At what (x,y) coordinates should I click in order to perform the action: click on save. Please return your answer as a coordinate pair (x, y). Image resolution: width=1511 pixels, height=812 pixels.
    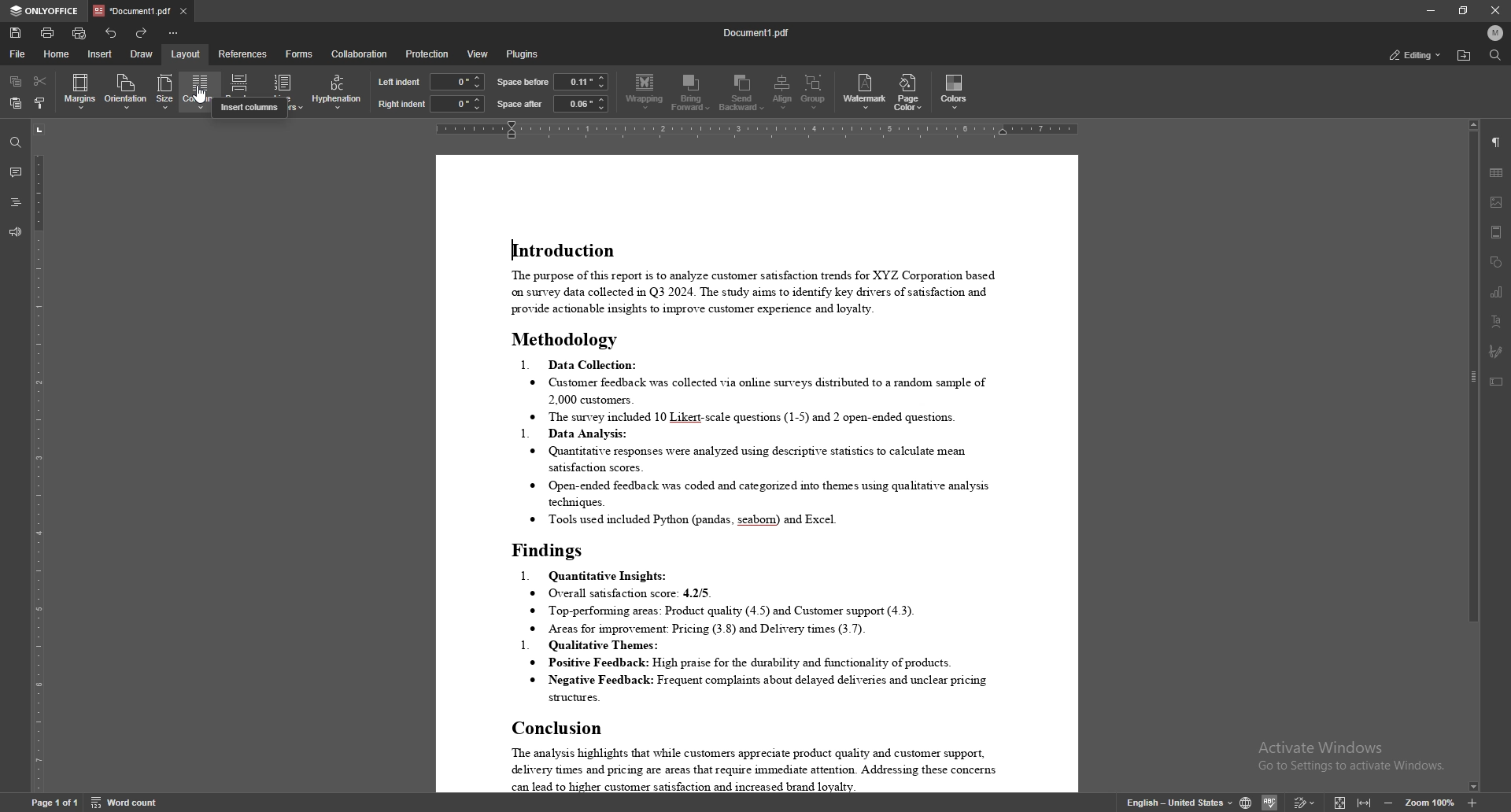
    Looking at the image, I should click on (15, 33).